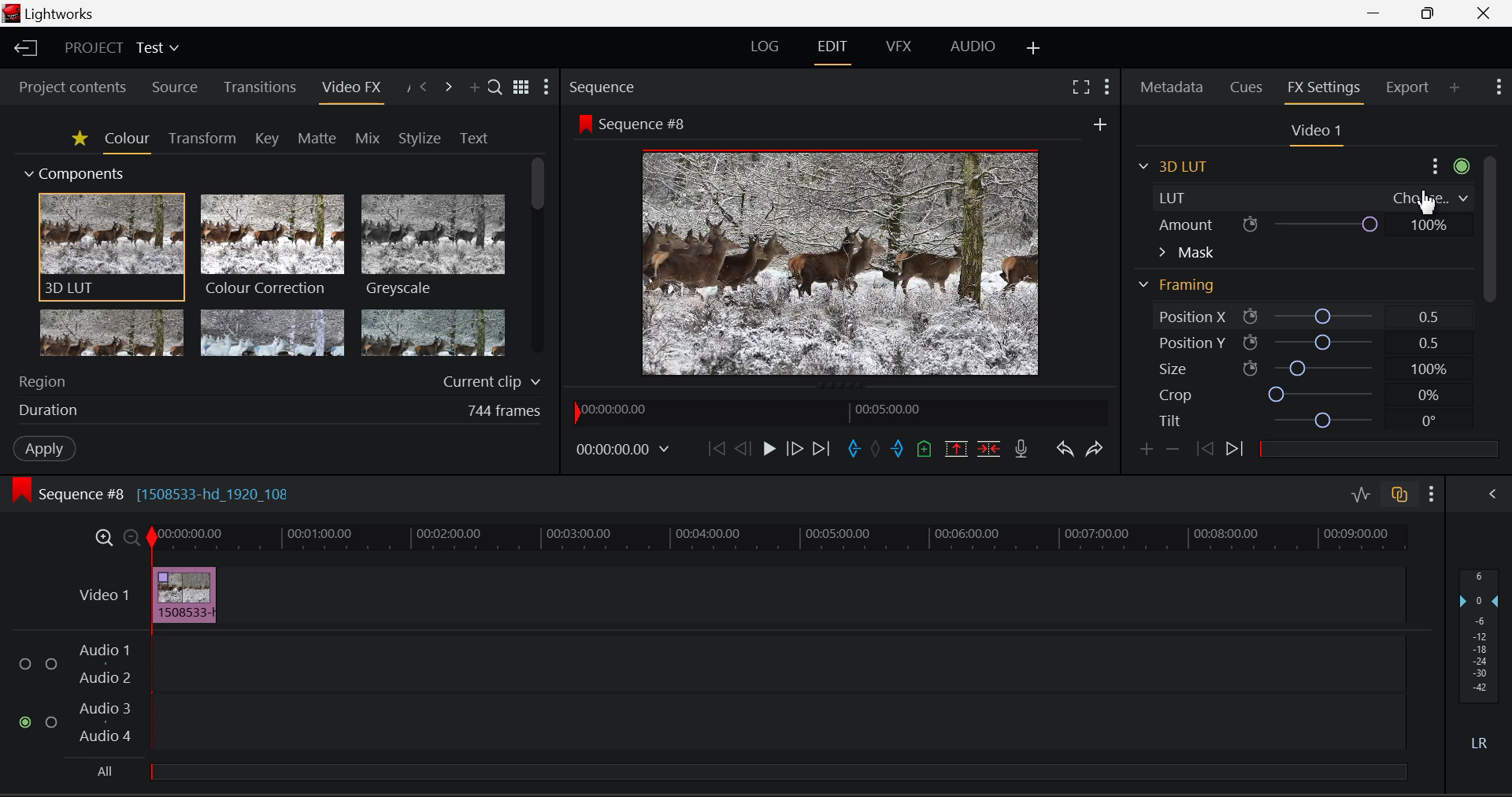 The height and width of the screenshot is (797, 1512). Describe the element at coordinates (822, 451) in the screenshot. I see `To End` at that location.